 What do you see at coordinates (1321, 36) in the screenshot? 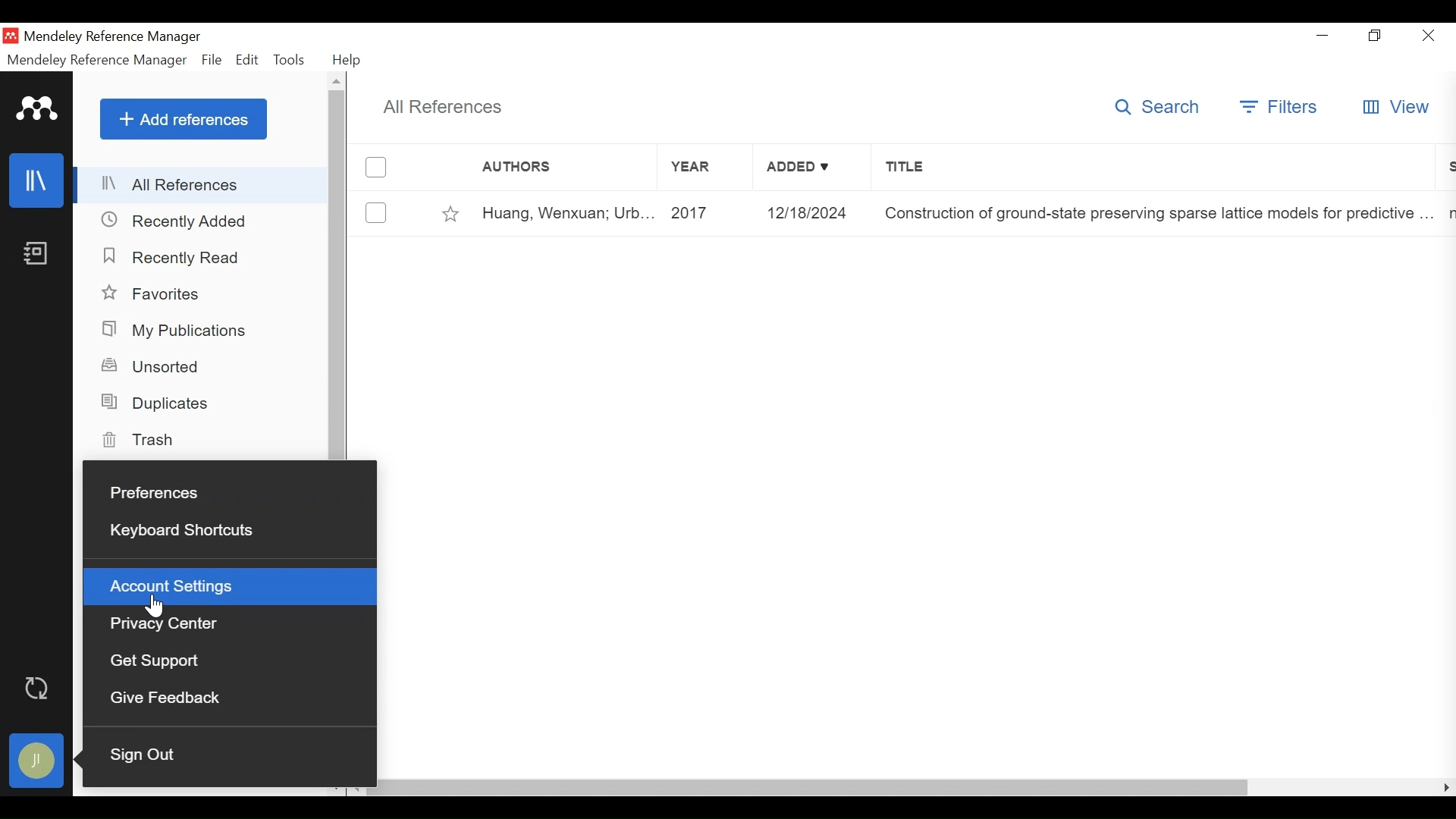
I see `minimize` at bounding box center [1321, 36].